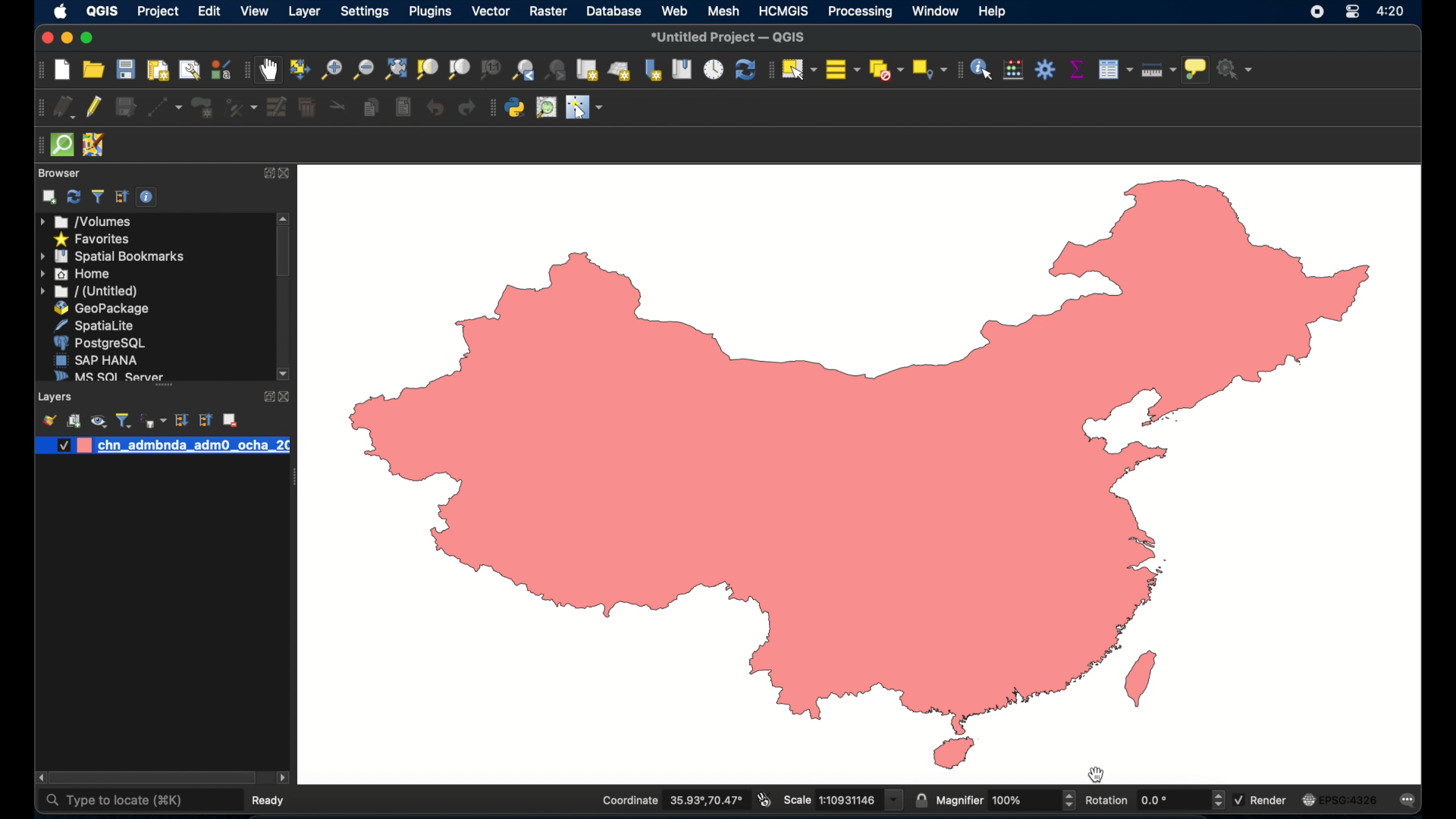 Image resolution: width=1456 pixels, height=819 pixels. I want to click on close, so click(287, 397).